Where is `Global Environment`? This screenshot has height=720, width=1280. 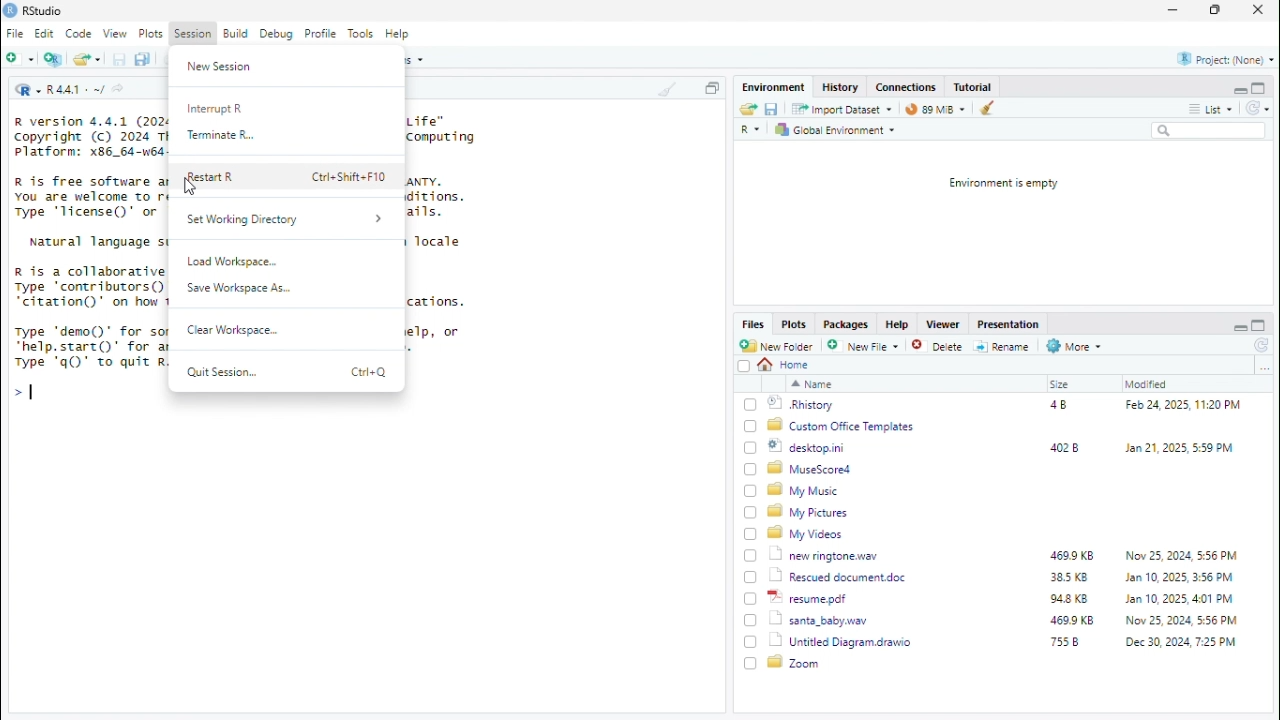
Global Environment is located at coordinates (836, 130).